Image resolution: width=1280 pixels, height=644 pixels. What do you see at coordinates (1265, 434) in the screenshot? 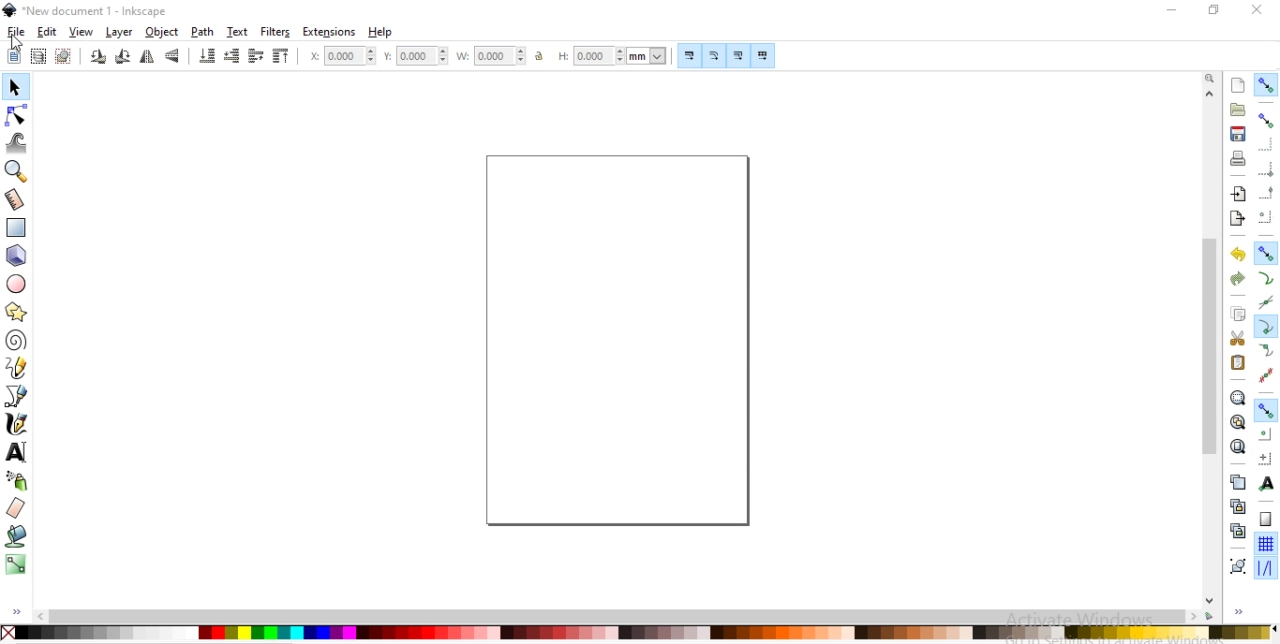
I see `snap centers of objects` at bounding box center [1265, 434].